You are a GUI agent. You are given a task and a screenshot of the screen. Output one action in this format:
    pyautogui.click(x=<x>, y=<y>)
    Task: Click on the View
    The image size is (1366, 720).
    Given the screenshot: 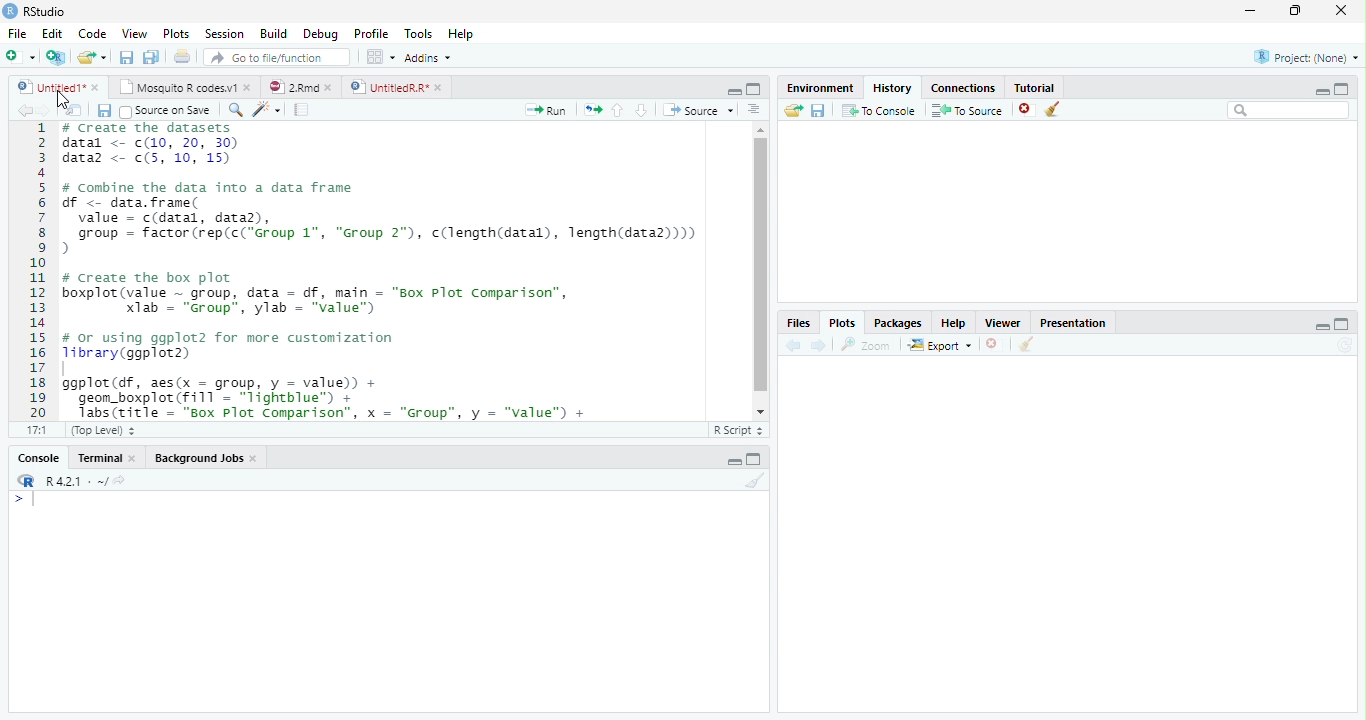 What is the action you would take?
    pyautogui.click(x=134, y=32)
    